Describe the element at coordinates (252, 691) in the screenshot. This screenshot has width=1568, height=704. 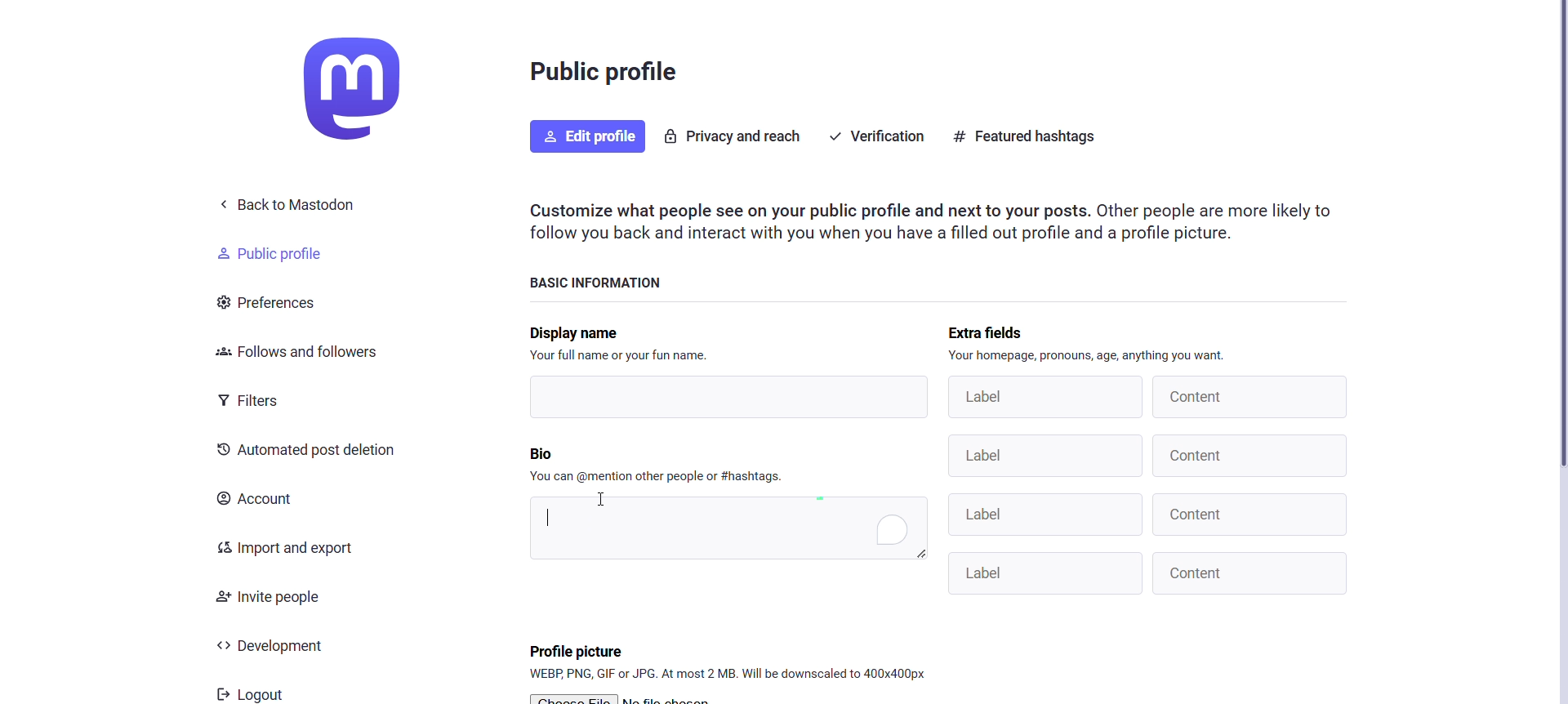
I see `Logout` at that location.